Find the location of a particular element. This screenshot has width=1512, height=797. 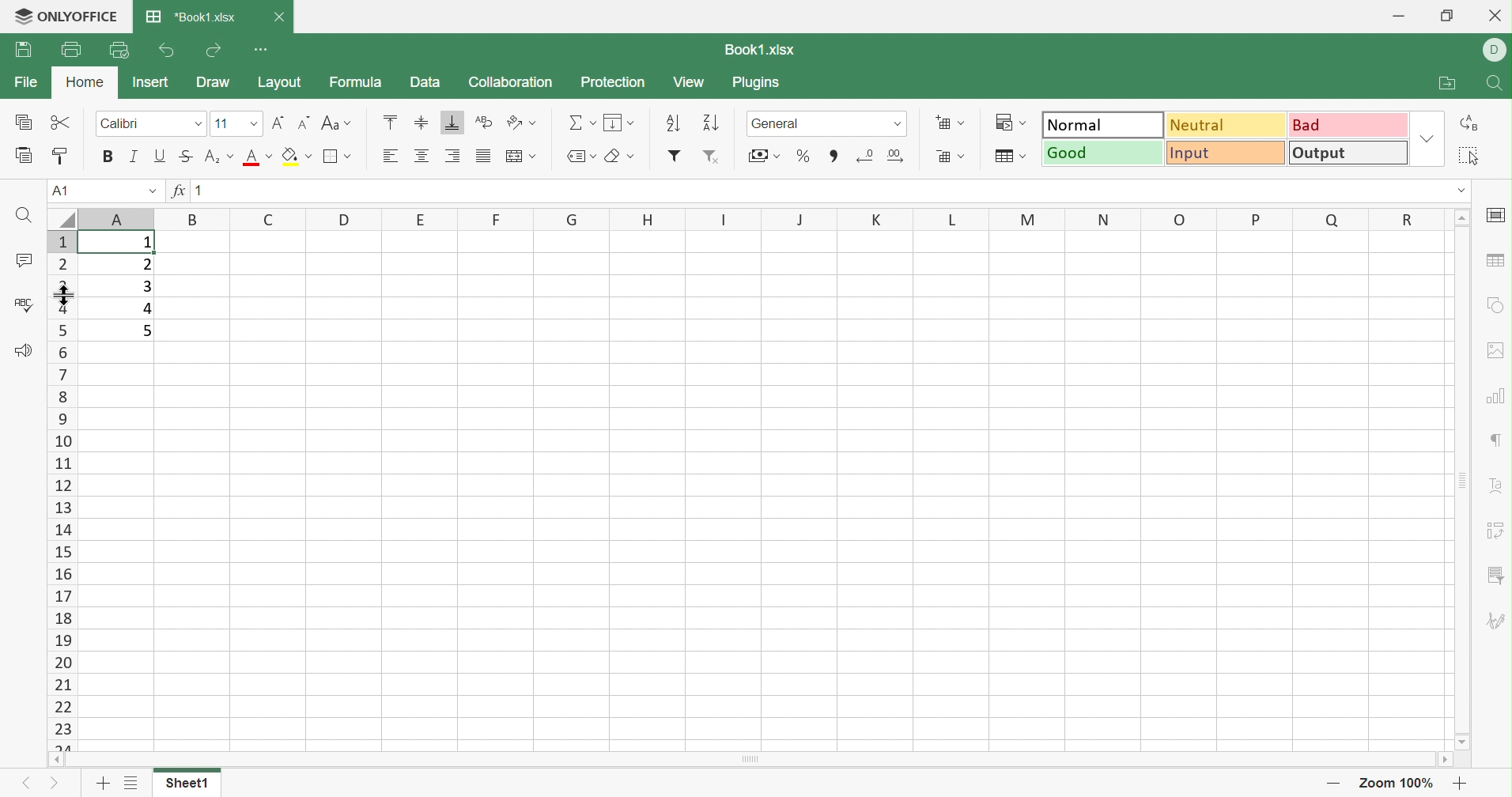

Layout is located at coordinates (281, 81).